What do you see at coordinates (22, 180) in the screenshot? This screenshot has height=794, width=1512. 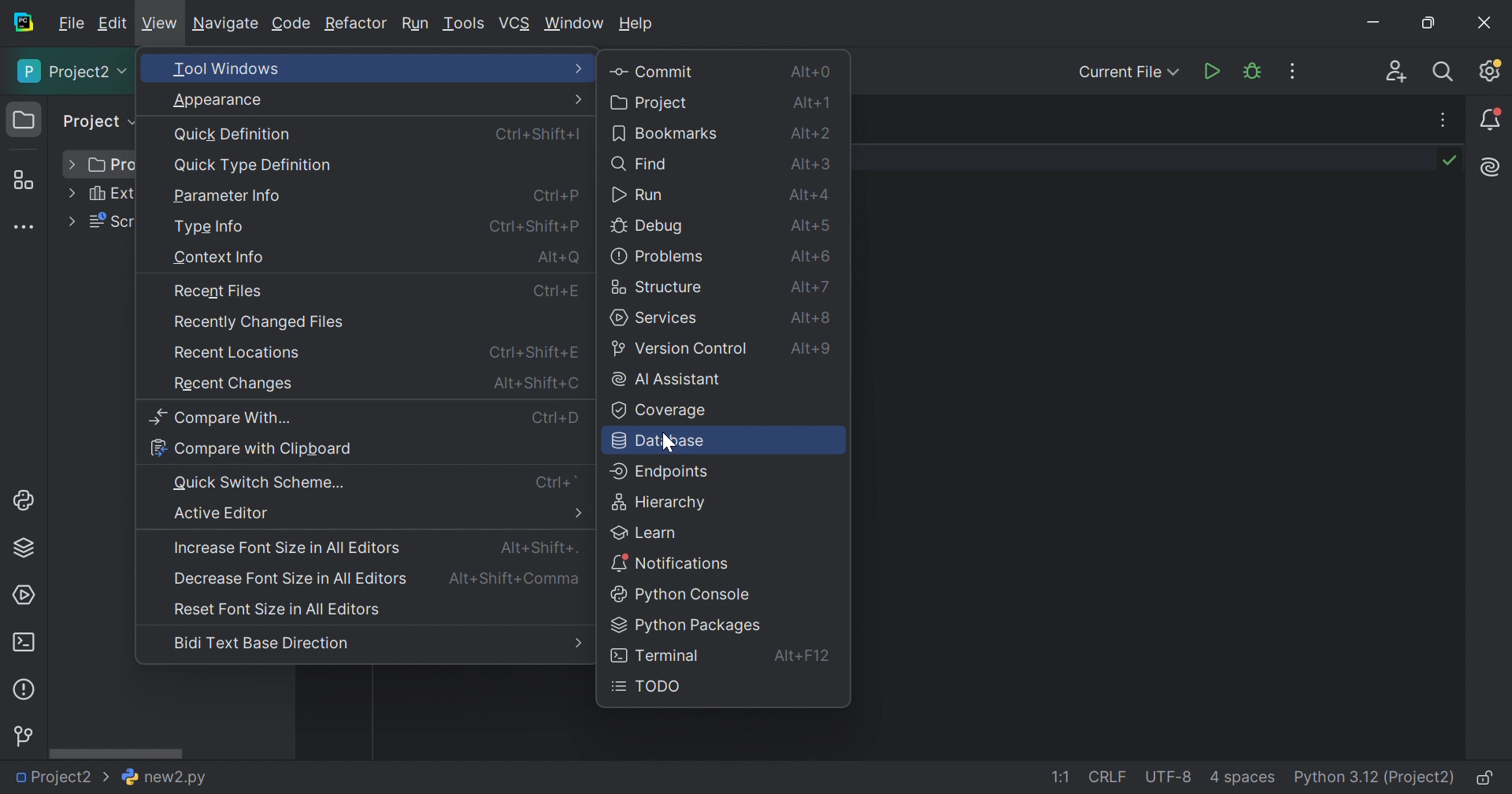 I see `Structure` at bounding box center [22, 180].